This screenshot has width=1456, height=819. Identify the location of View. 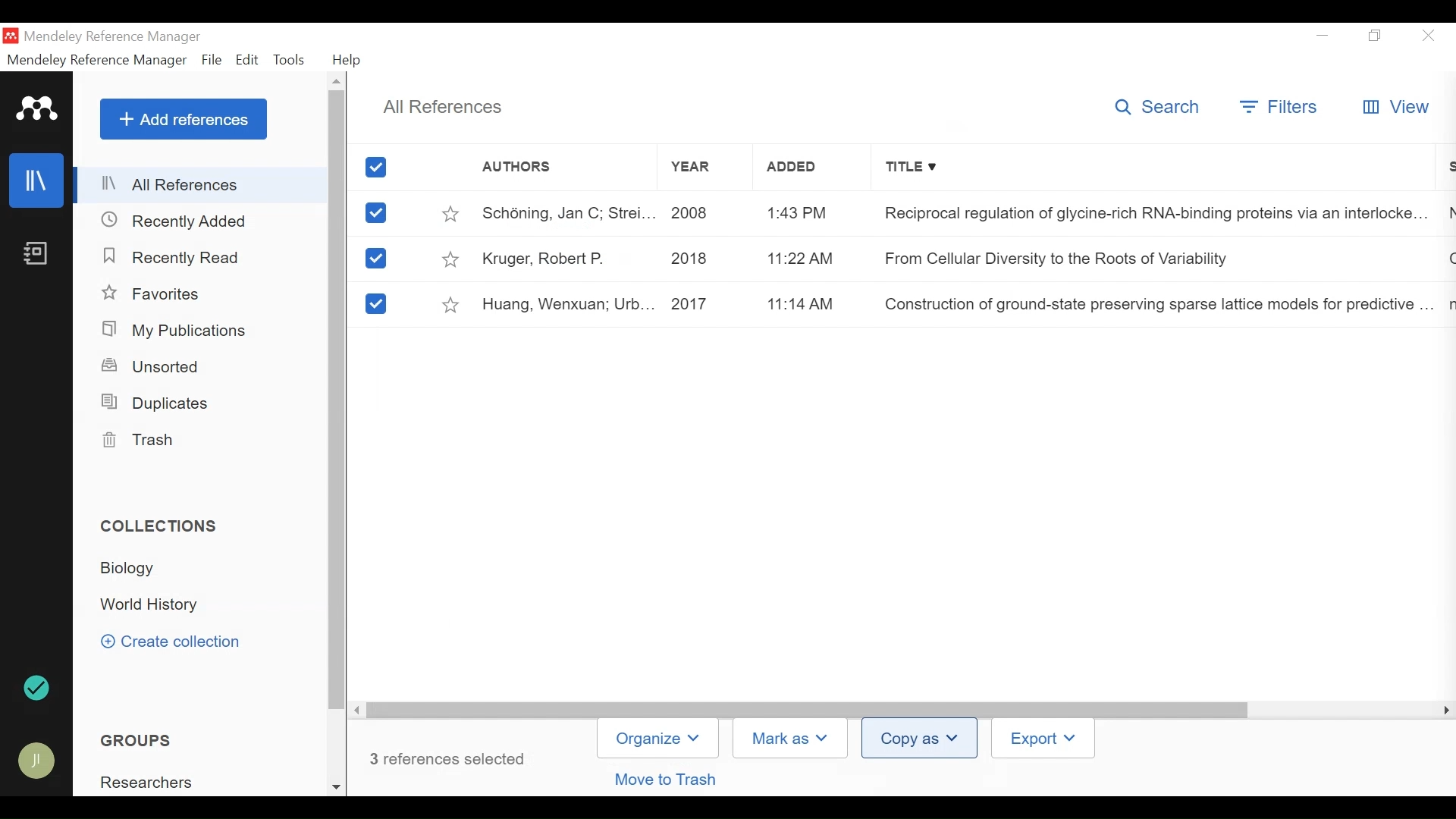
(1394, 108).